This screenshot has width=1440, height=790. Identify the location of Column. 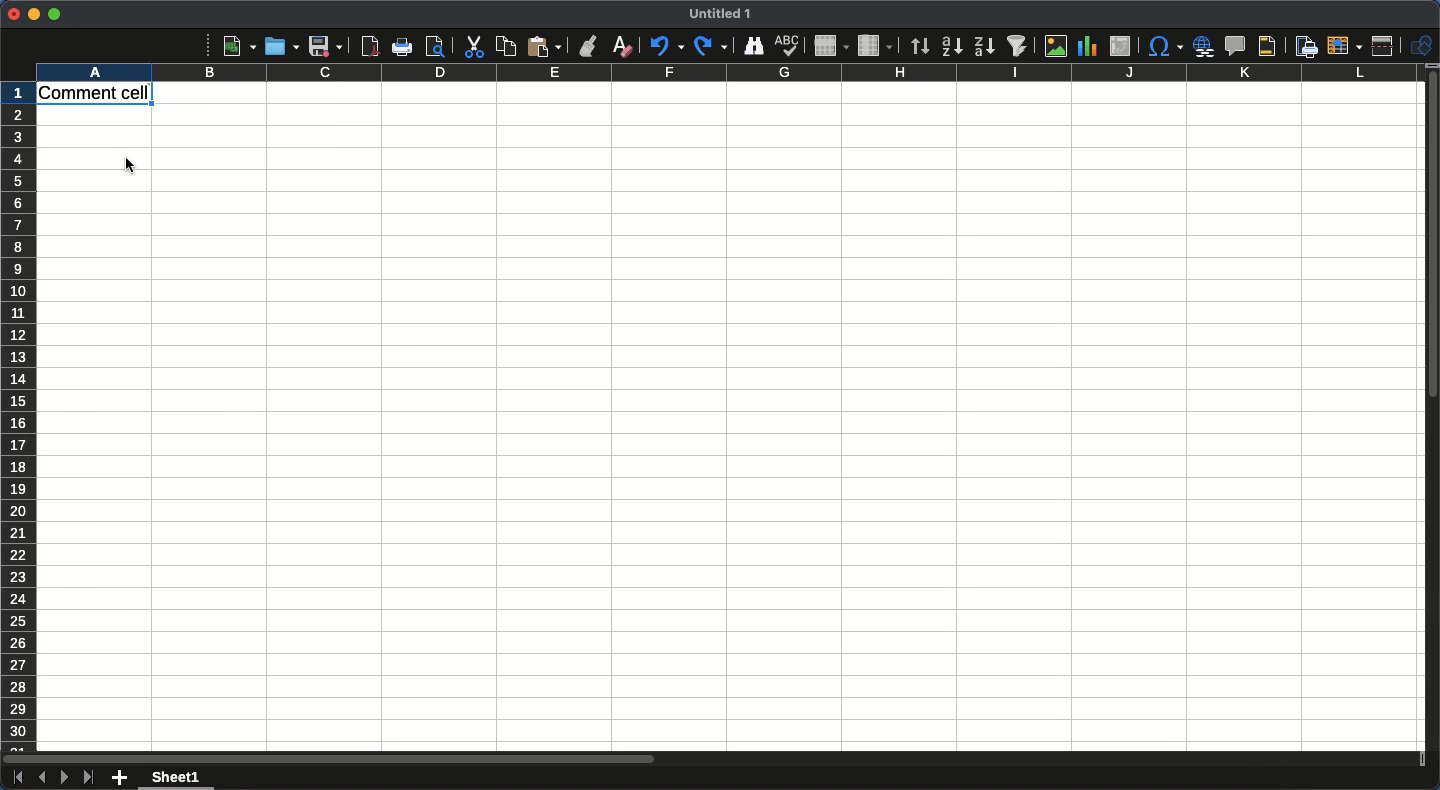
(877, 45).